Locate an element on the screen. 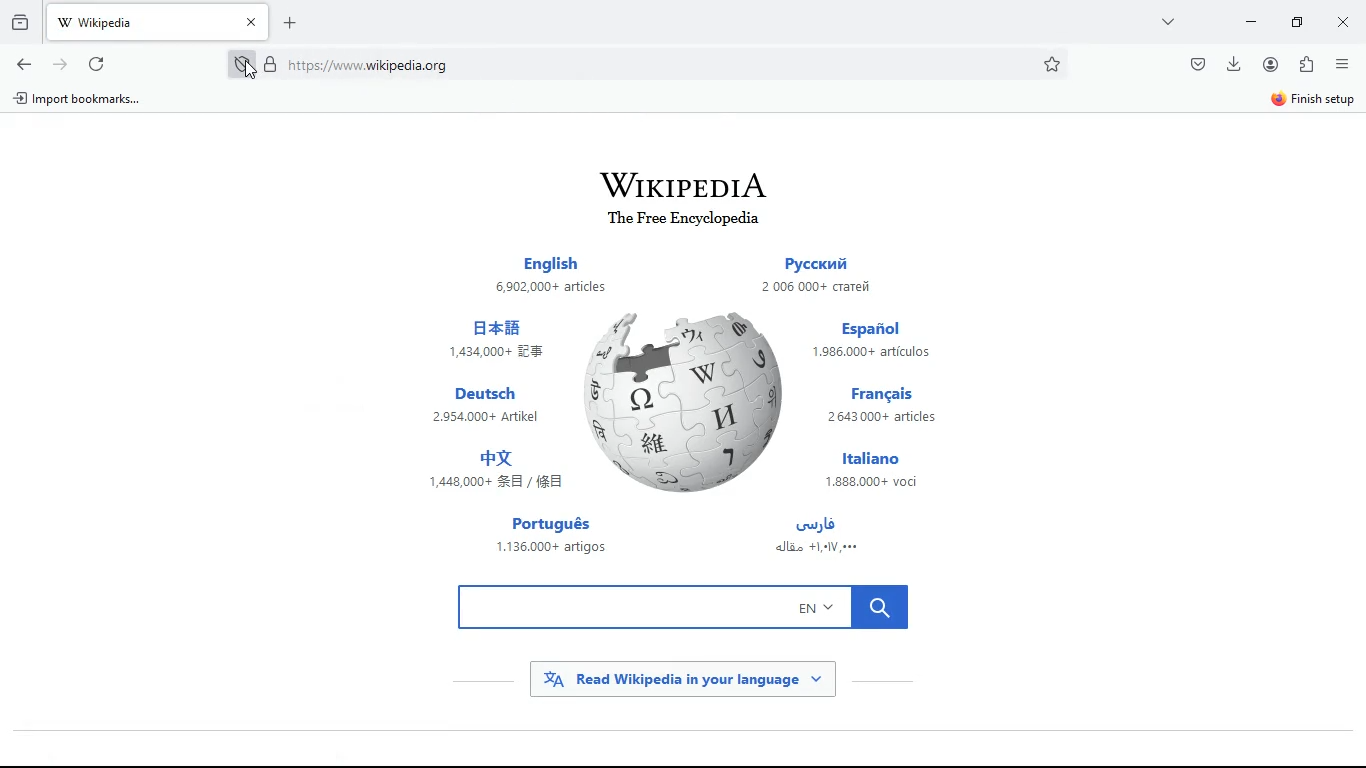 This screenshot has width=1366, height=768. locked is located at coordinates (270, 65).